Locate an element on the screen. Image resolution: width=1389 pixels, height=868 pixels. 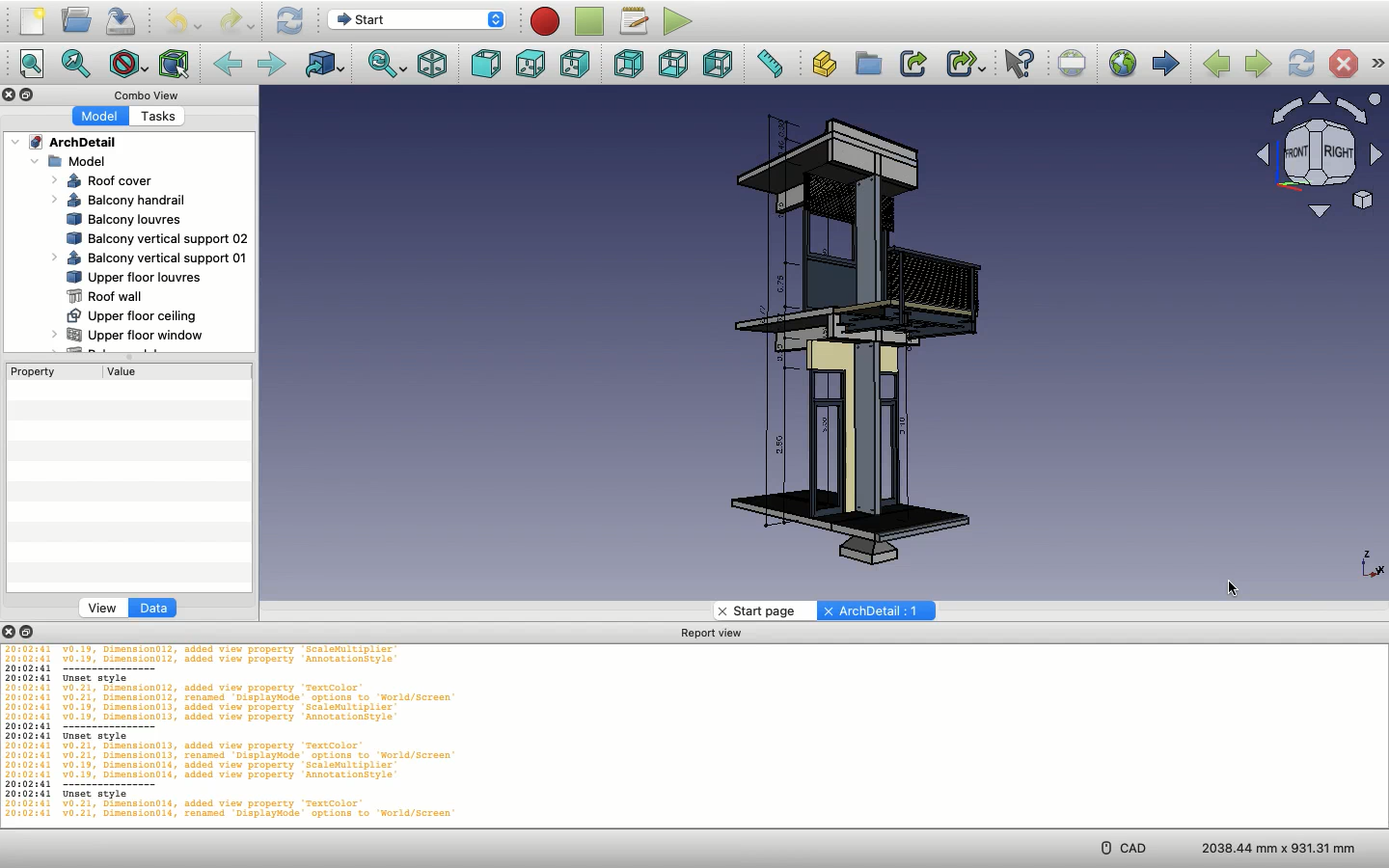
Make link is located at coordinates (912, 64).